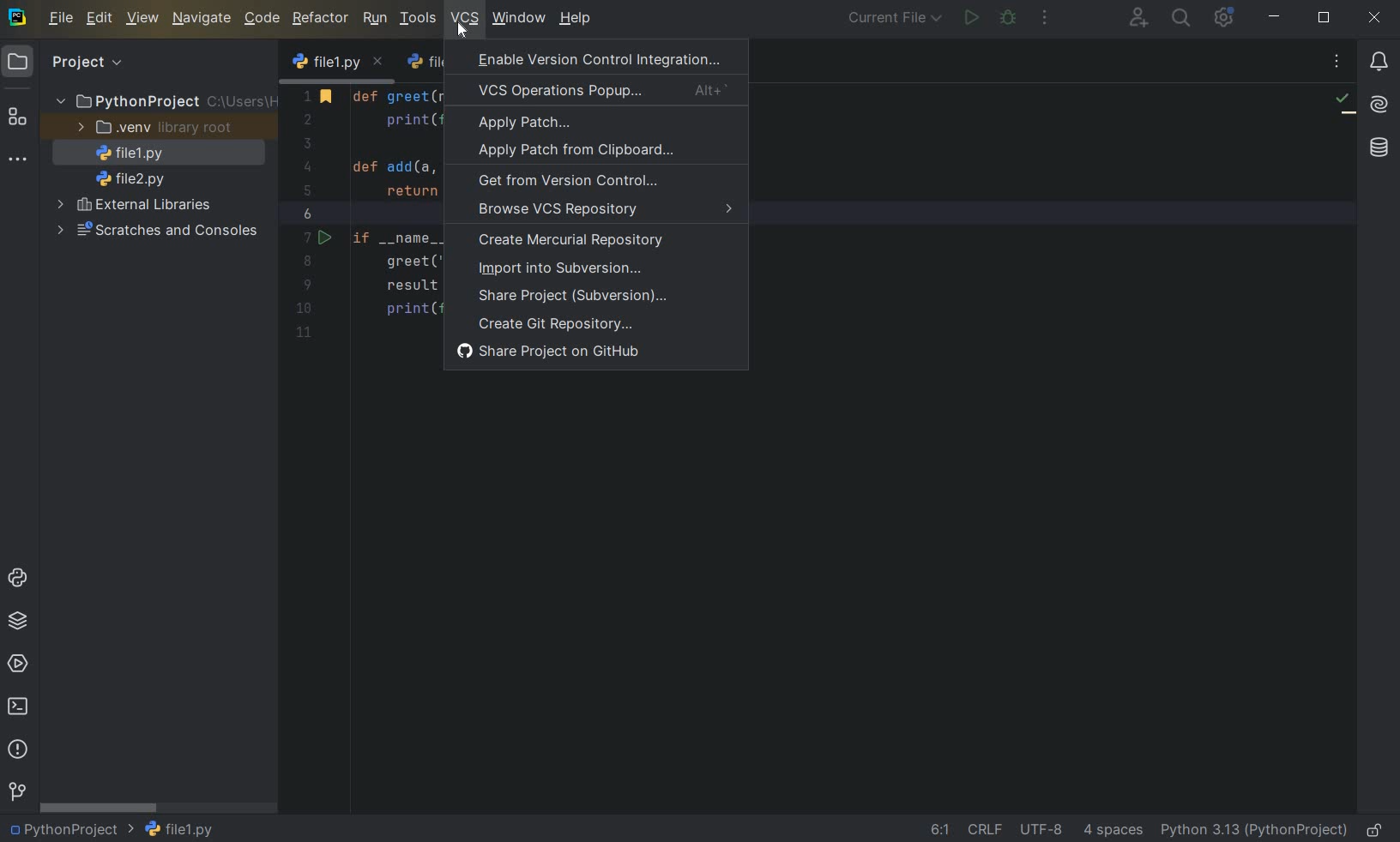 This screenshot has width=1400, height=842. What do you see at coordinates (1253, 830) in the screenshot?
I see `current interpreter` at bounding box center [1253, 830].